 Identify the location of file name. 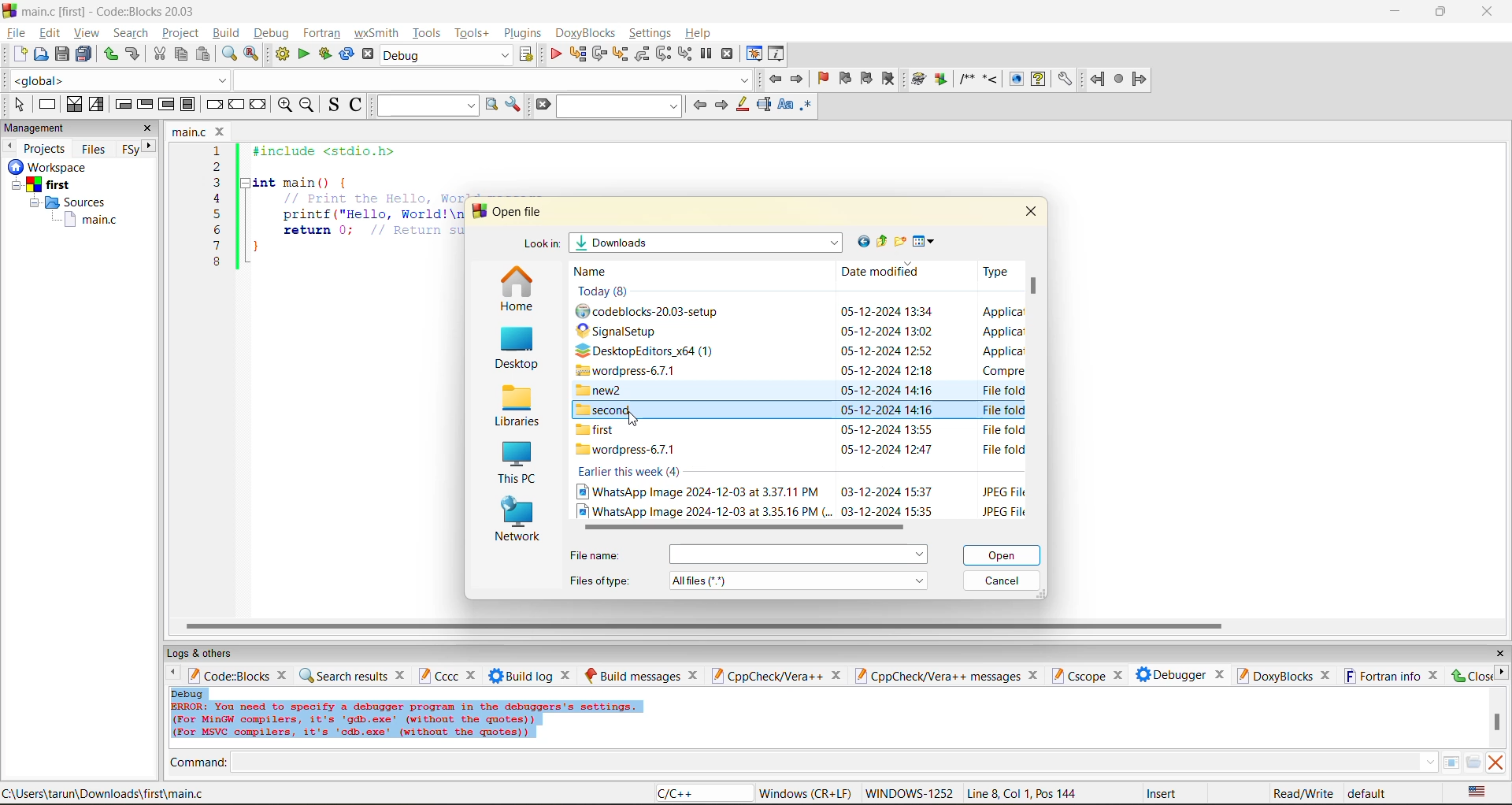
(598, 555).